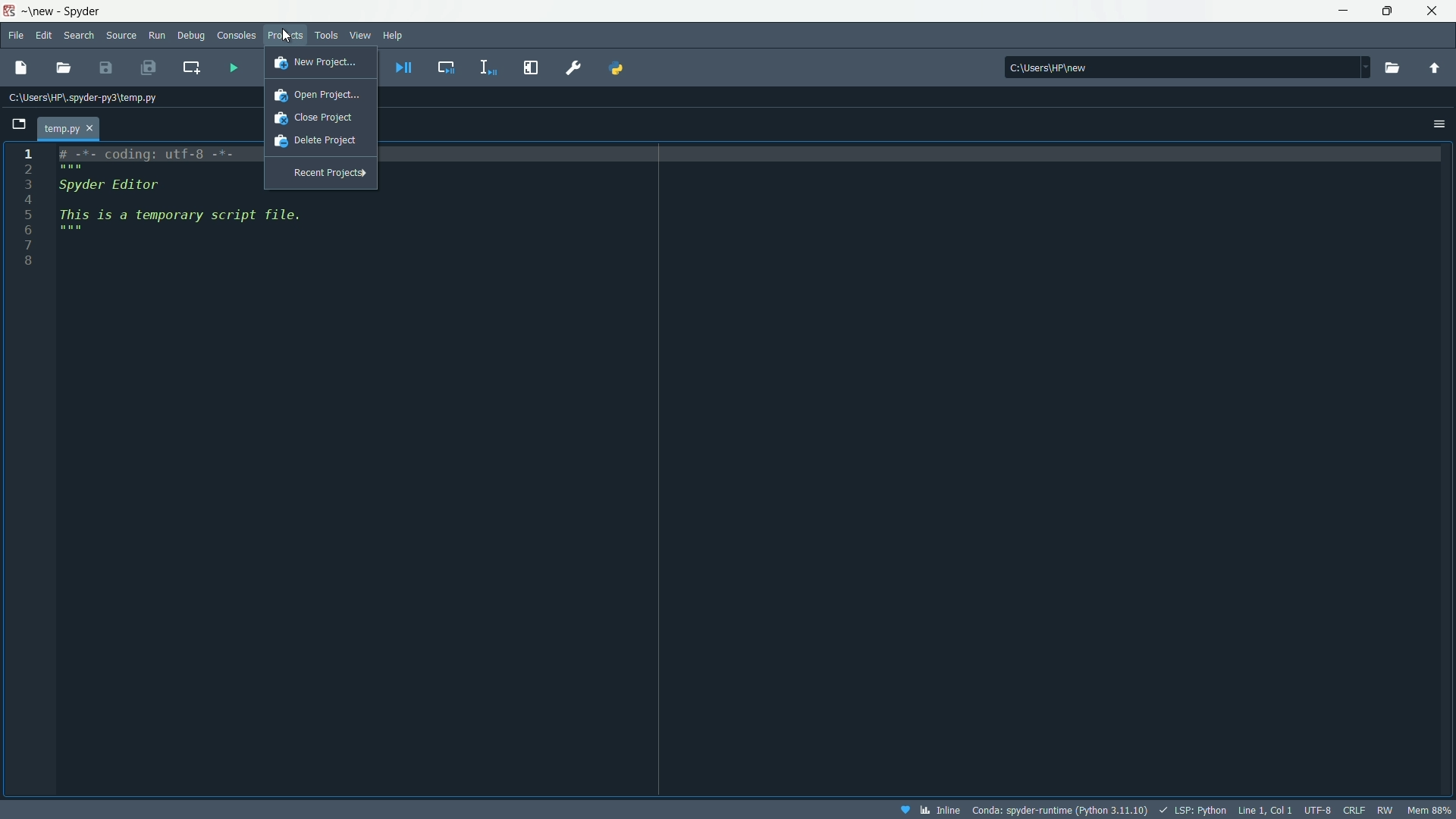  I want to click on C:\Users\HP\new, so click(1038, 65).